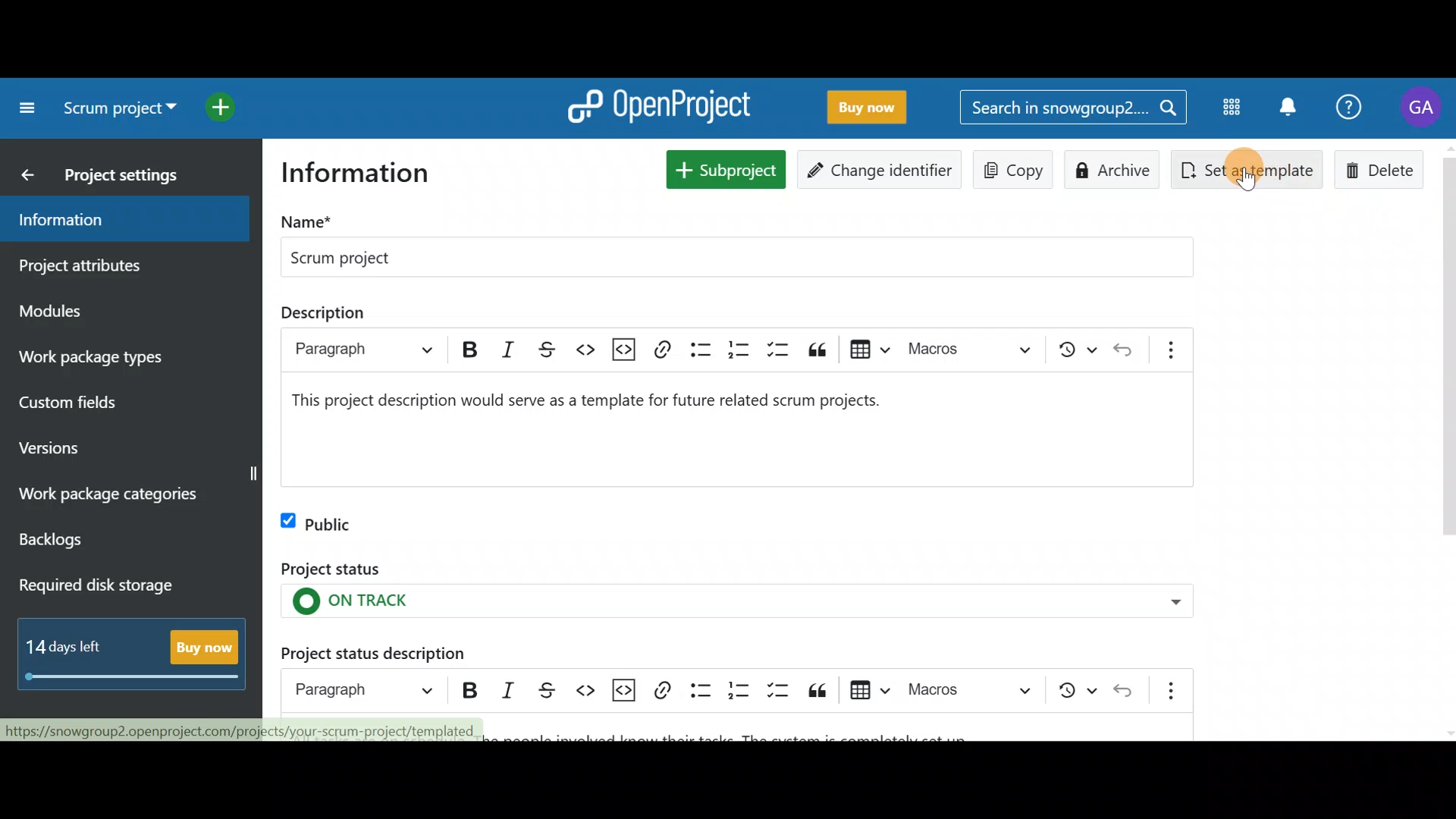  What do you see at coordinates (235, 108) in the screenshot?
I see `Open quick add menu` at bounding box center [235, 108].